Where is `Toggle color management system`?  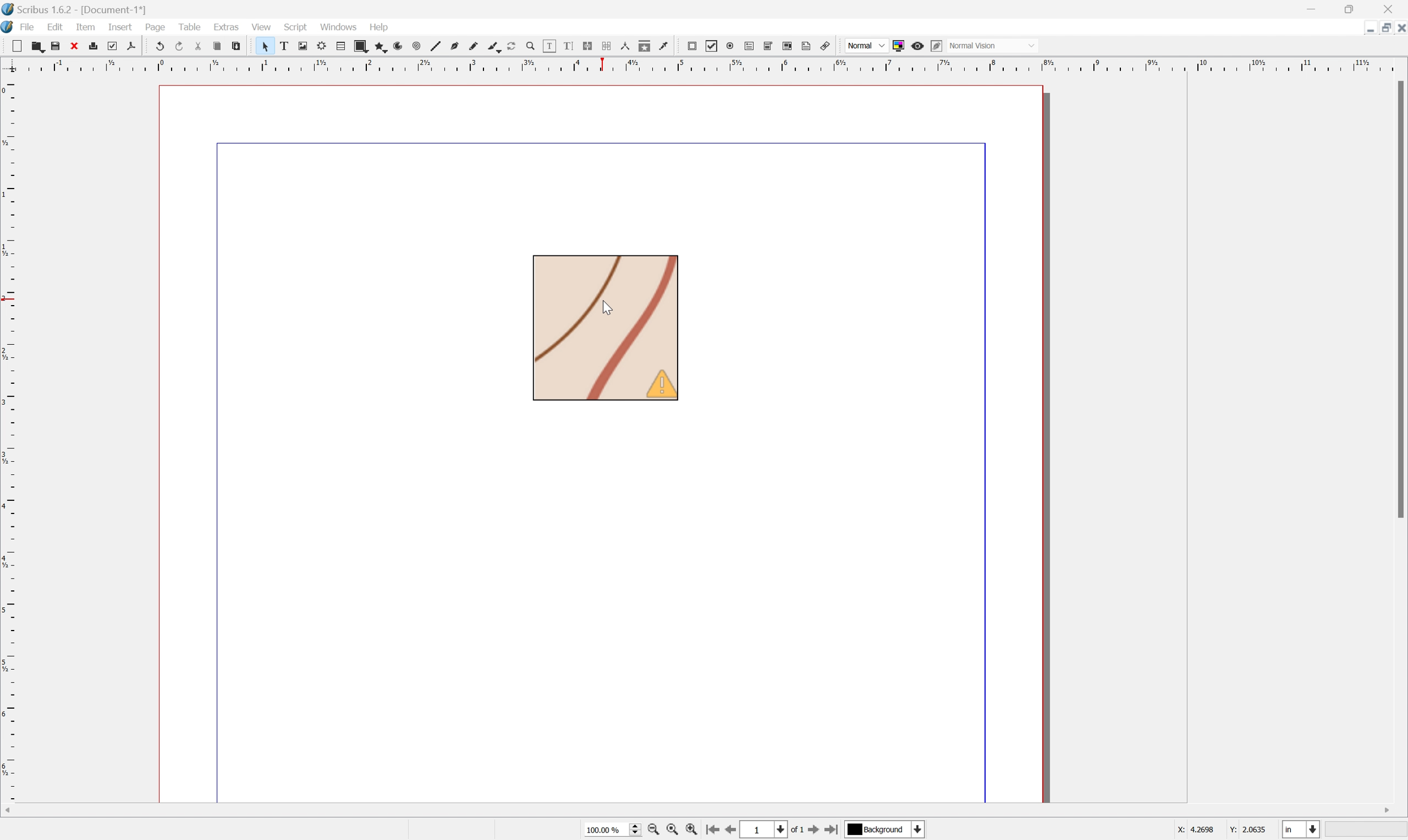 Toggle color management system is located at coordinates (901, 45).